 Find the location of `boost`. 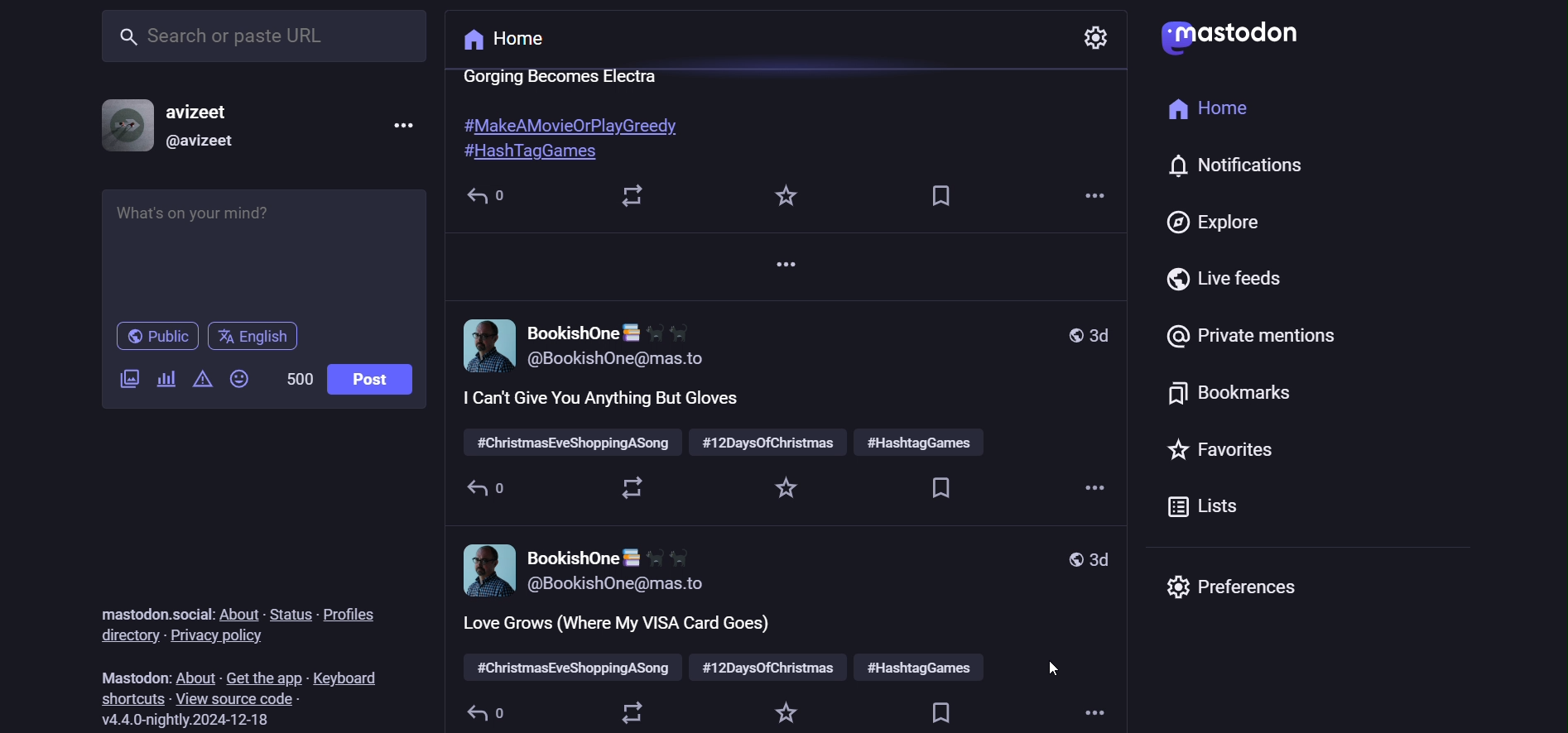

boost is located at coordinates (625, 711).